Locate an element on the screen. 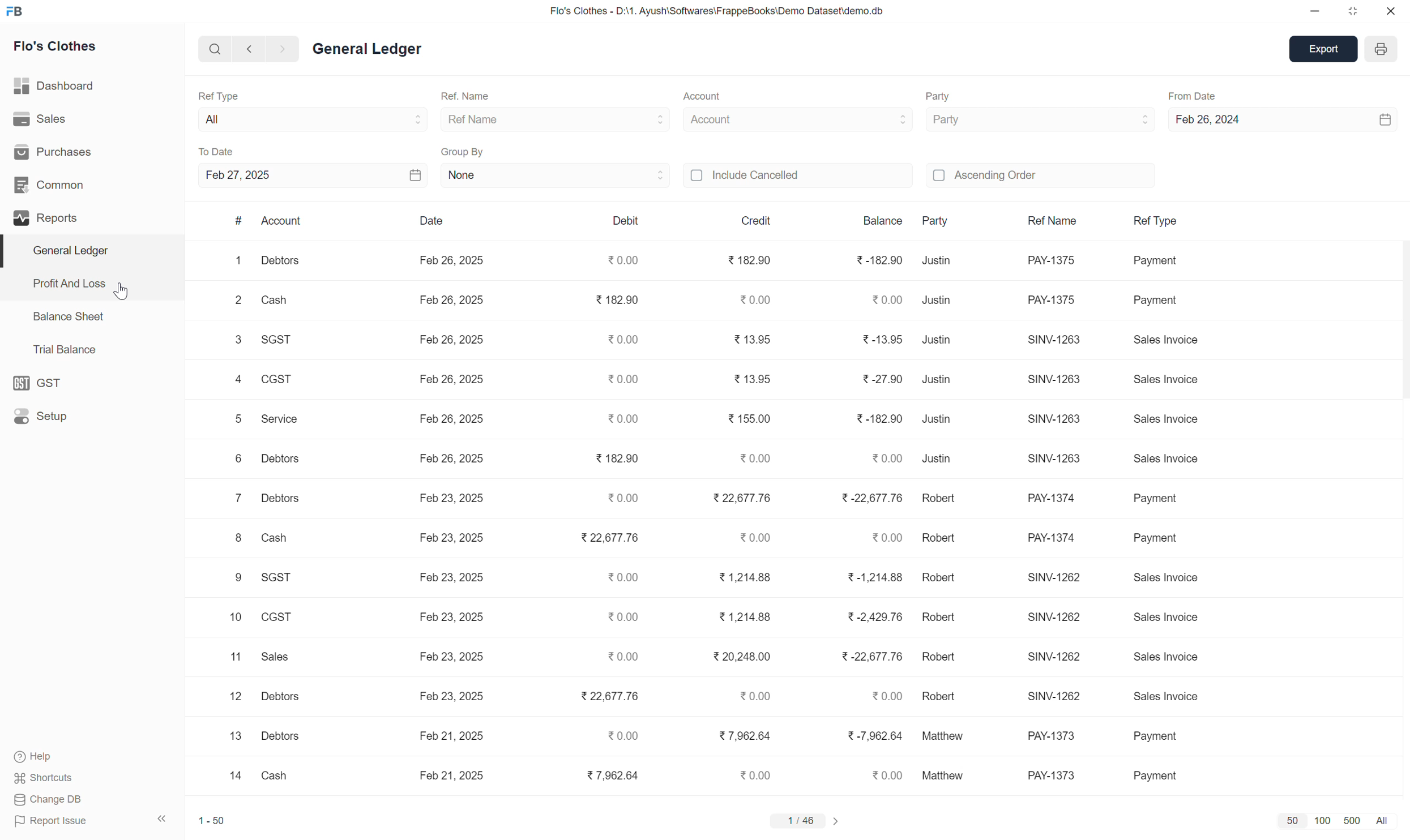 The height and width of the screenshot is (840, 1410). Robert is located at coordinates (941, 577).